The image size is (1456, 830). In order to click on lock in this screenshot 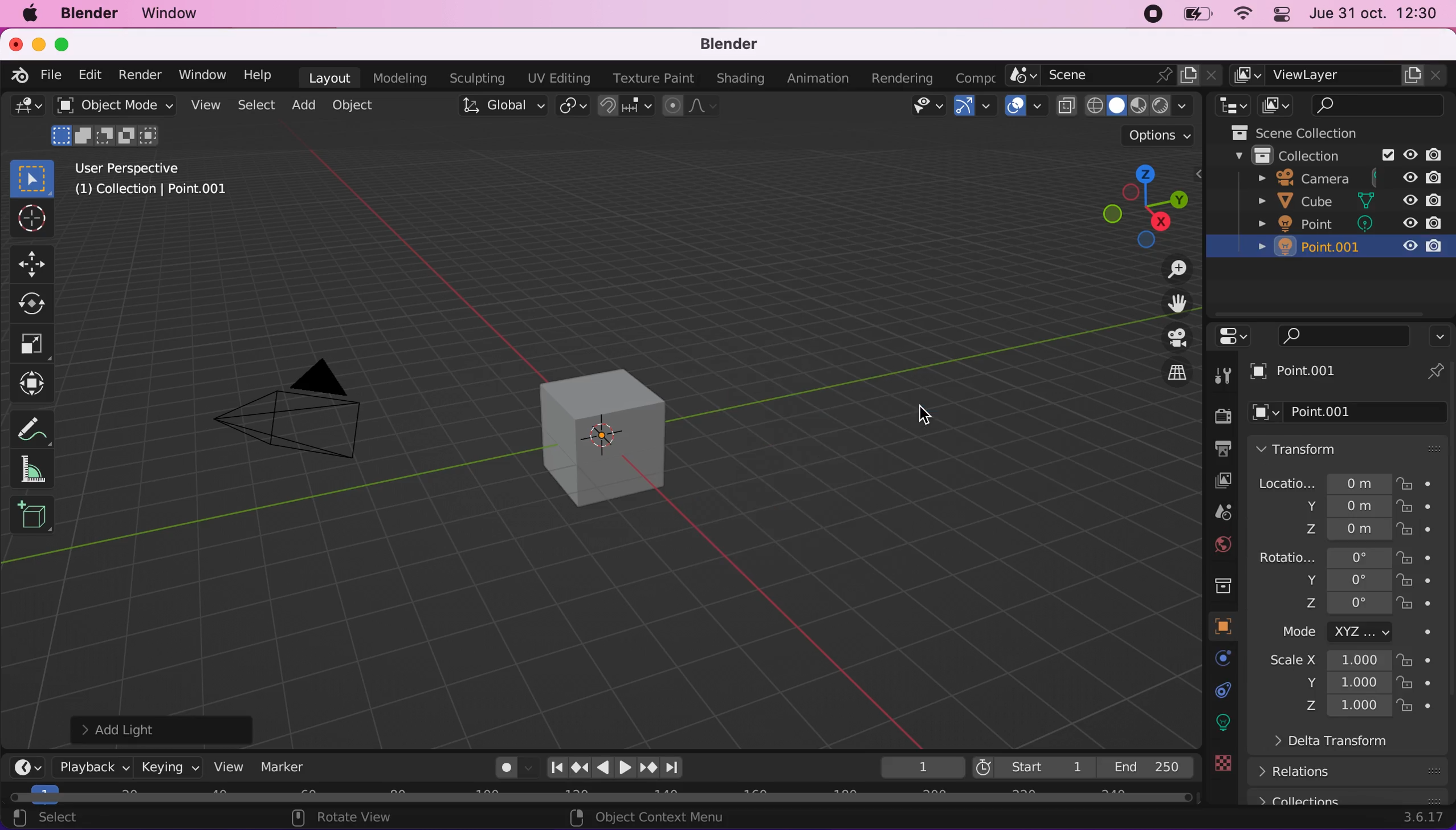, I will do `click(1420, 660)`.